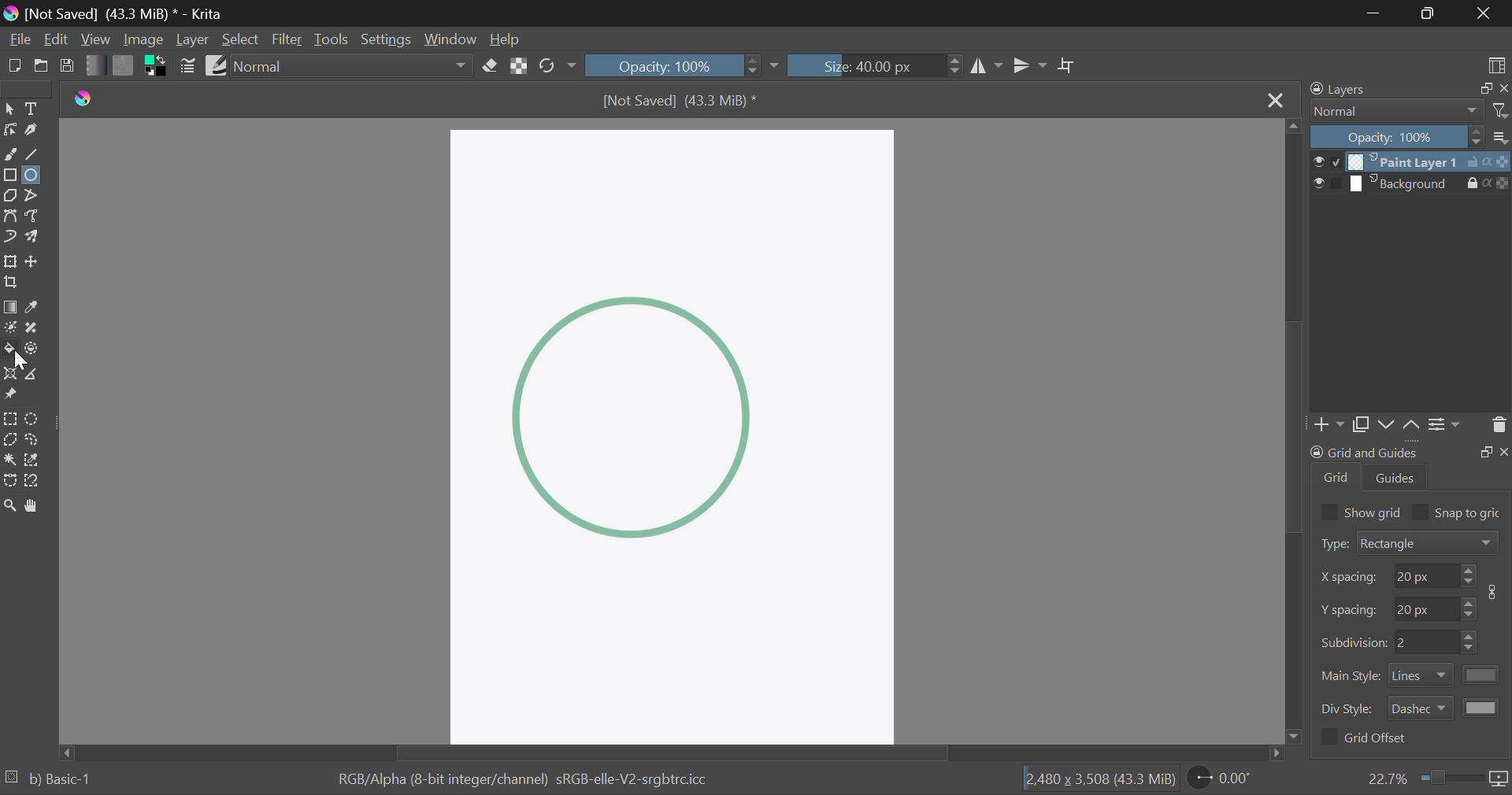 The width and height of the screenshot is (1512, 795). I want to click on File Name & Size, so click(684, 102).